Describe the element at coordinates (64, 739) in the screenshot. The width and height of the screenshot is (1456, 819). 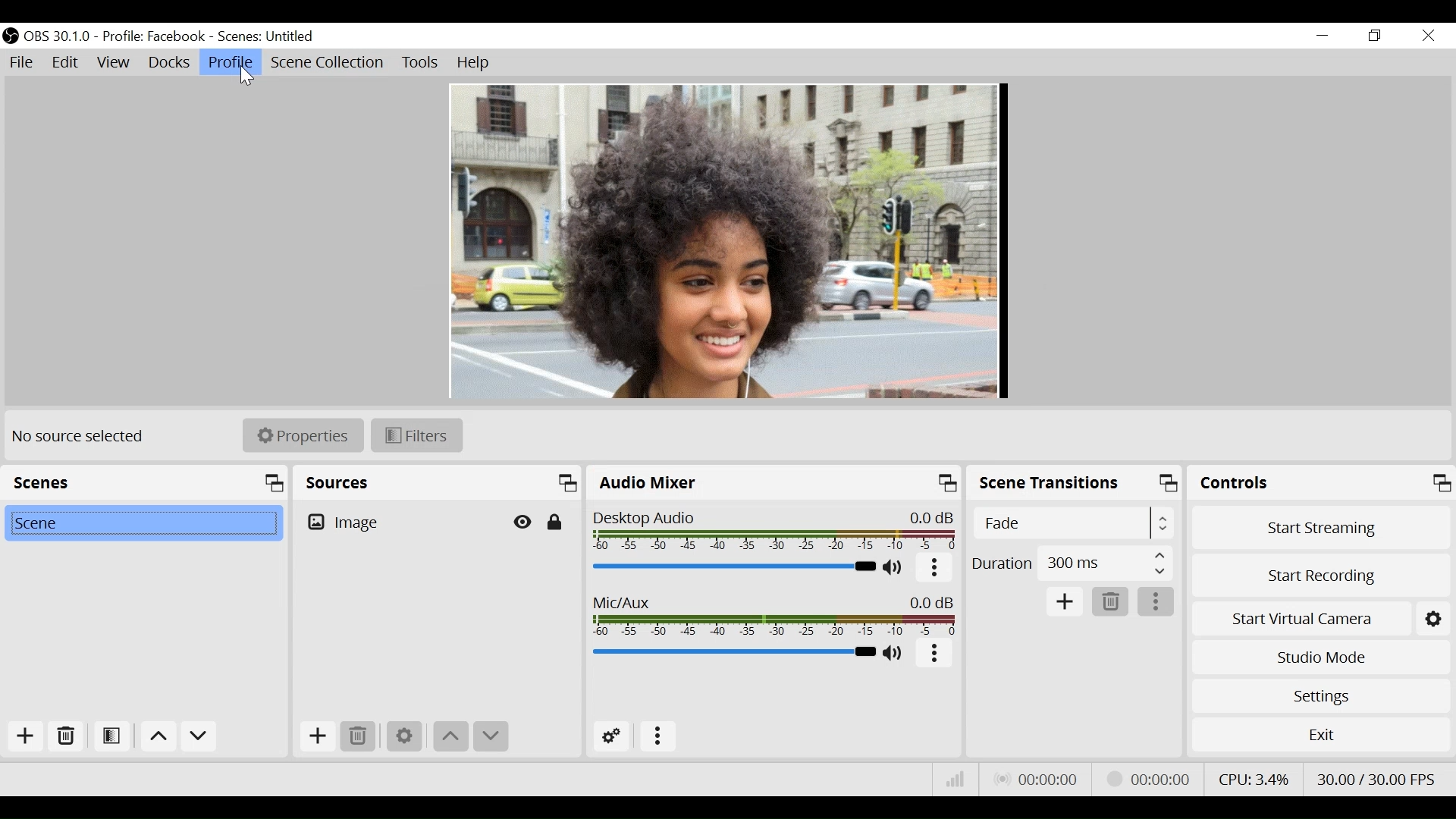
I see `Remove` at that location.